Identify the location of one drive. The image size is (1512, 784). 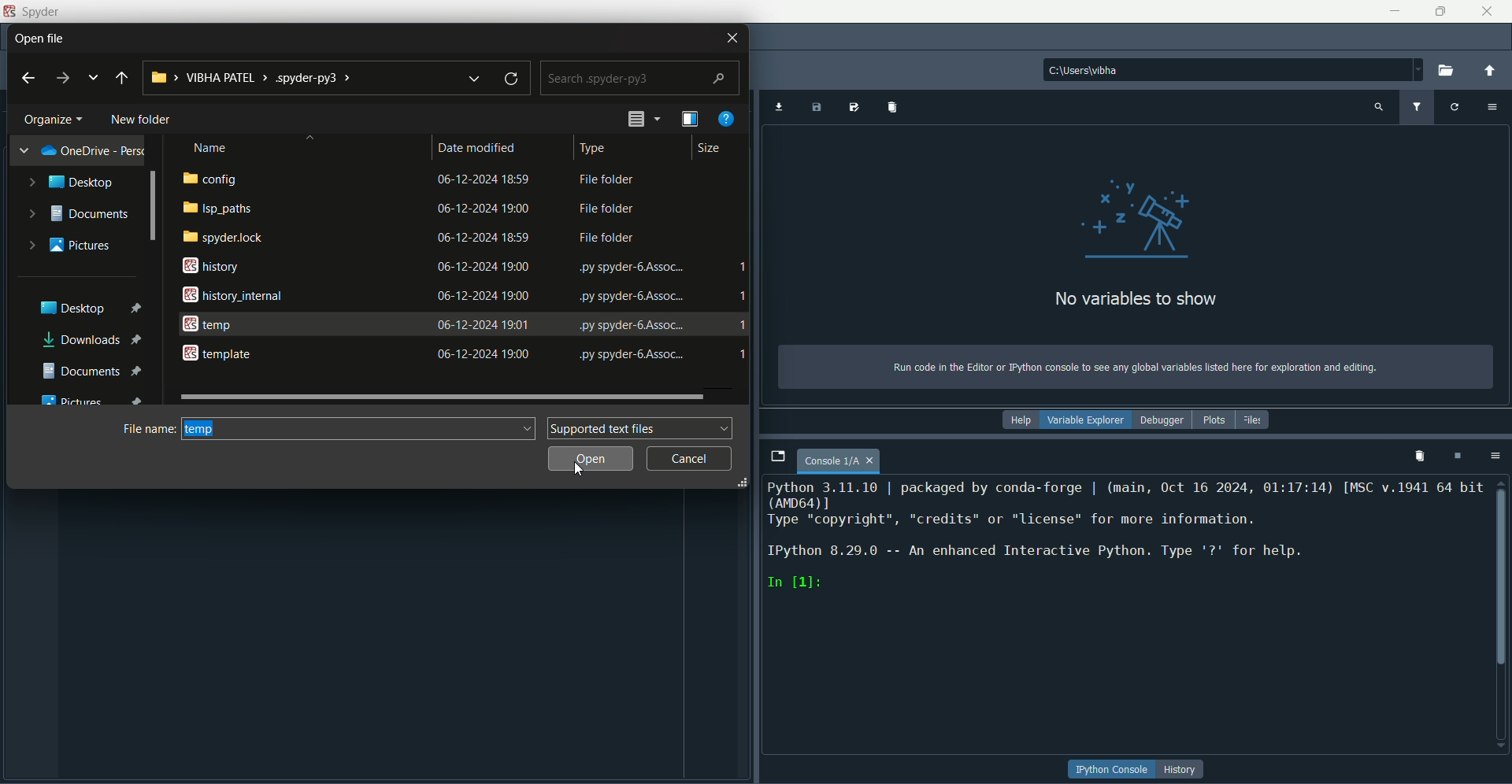
(84, 150).